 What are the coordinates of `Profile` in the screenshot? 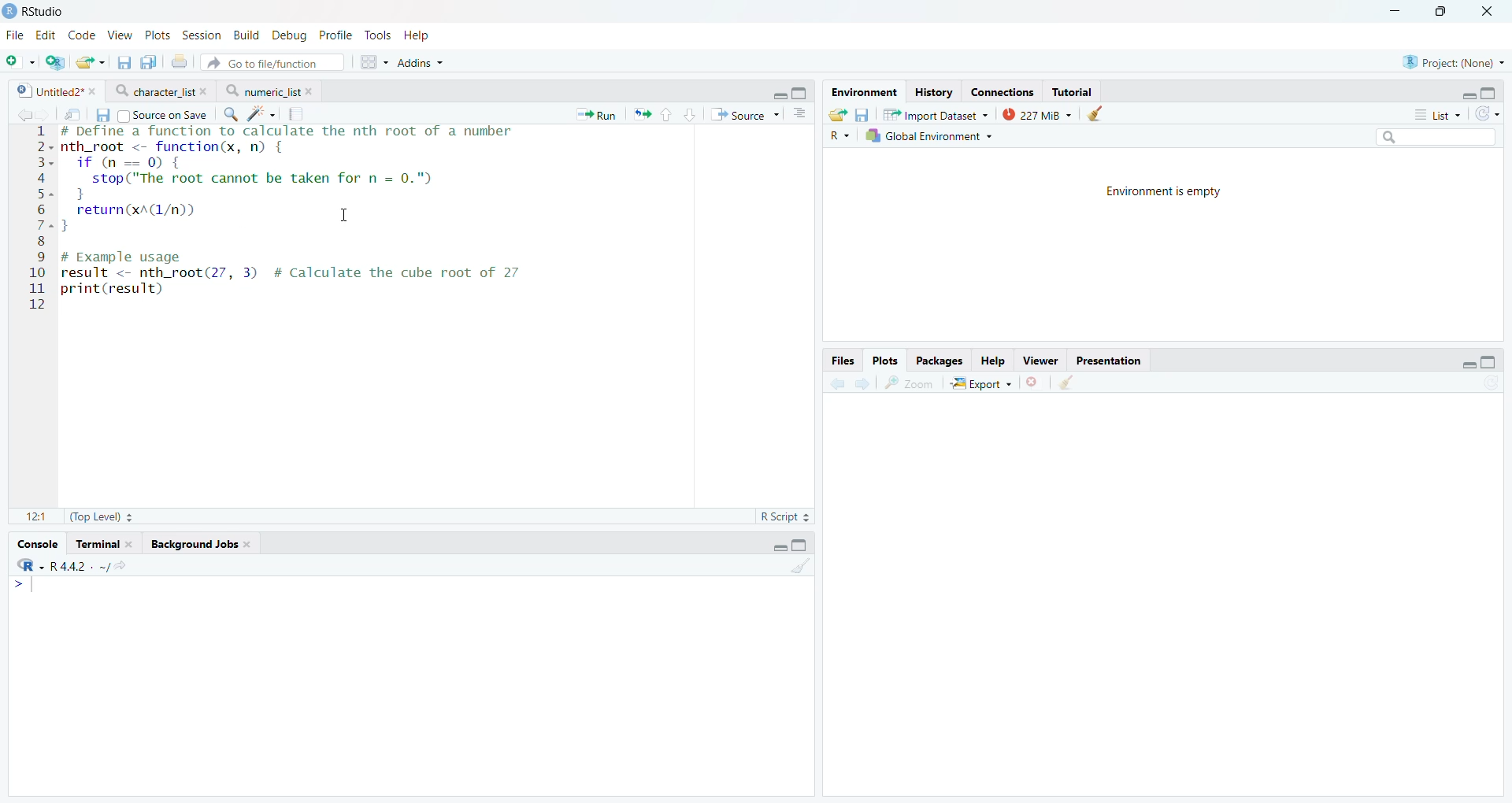 It's located at (335, 35).